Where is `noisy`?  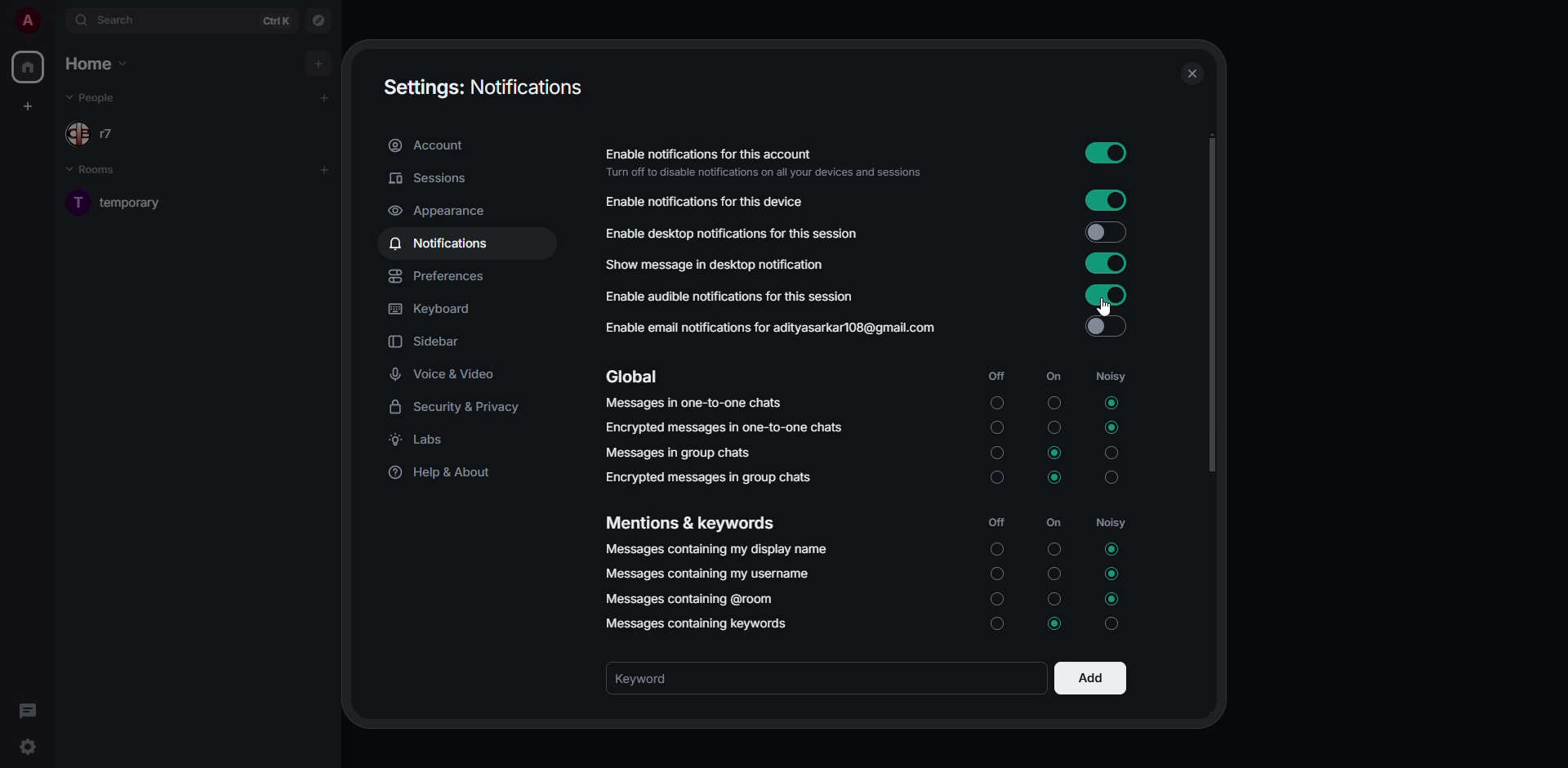 noisy is located at coordinates (1107, 375).